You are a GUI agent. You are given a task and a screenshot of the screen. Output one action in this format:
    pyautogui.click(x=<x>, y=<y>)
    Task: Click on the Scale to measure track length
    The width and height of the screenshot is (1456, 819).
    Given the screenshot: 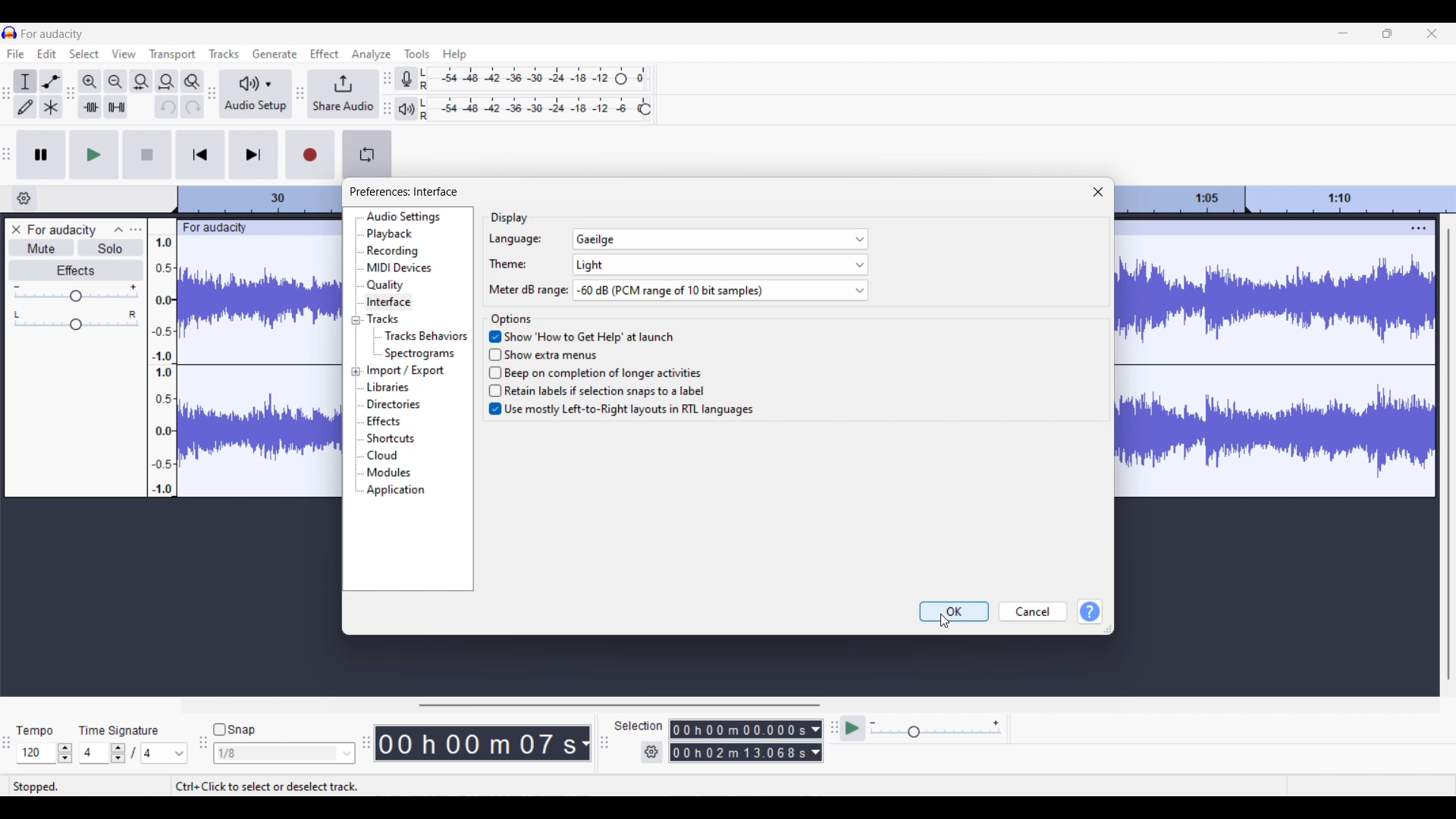 What is the action you would take?
    pyautogui.click(x=1288, y=199)
    